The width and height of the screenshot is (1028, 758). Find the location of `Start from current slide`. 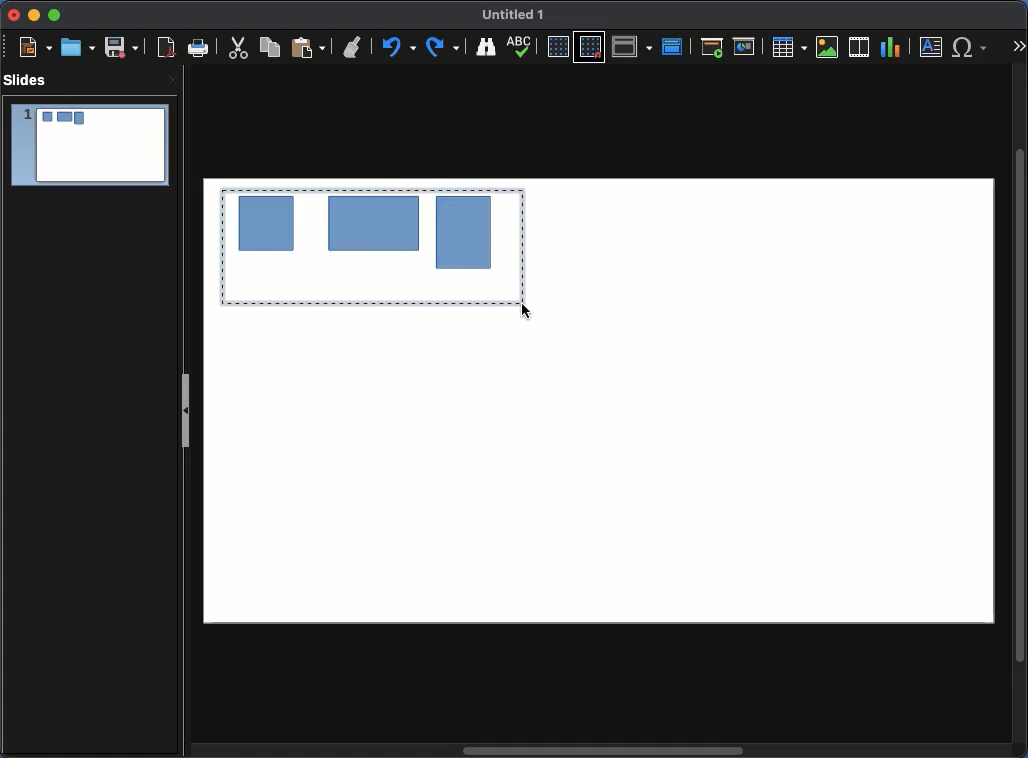

Start from current slide is located at coordinates (745, 45).